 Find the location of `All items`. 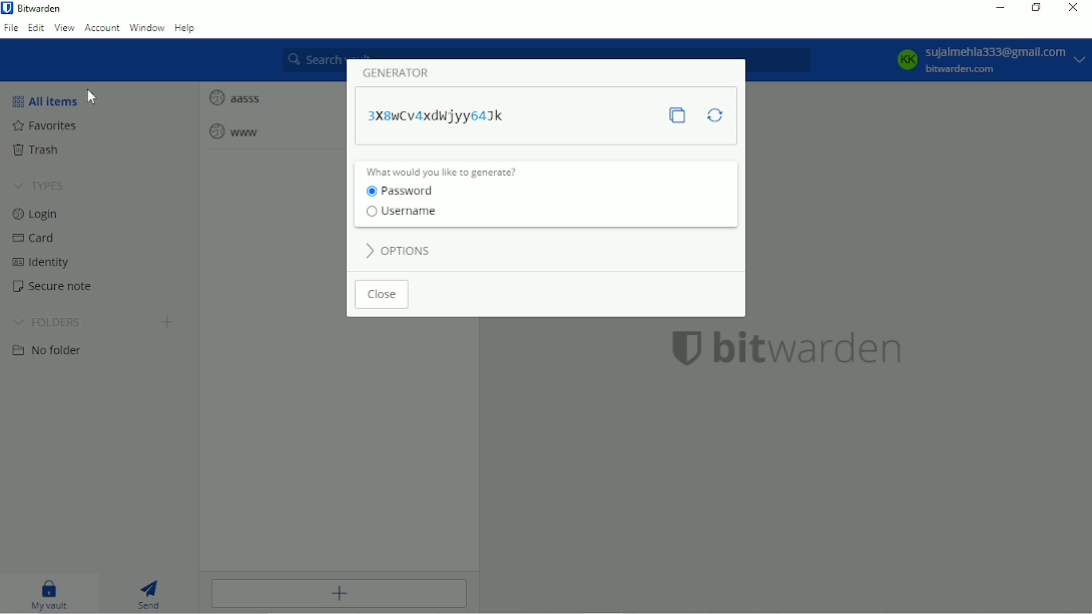

All items is located at coordinates (44, 99).